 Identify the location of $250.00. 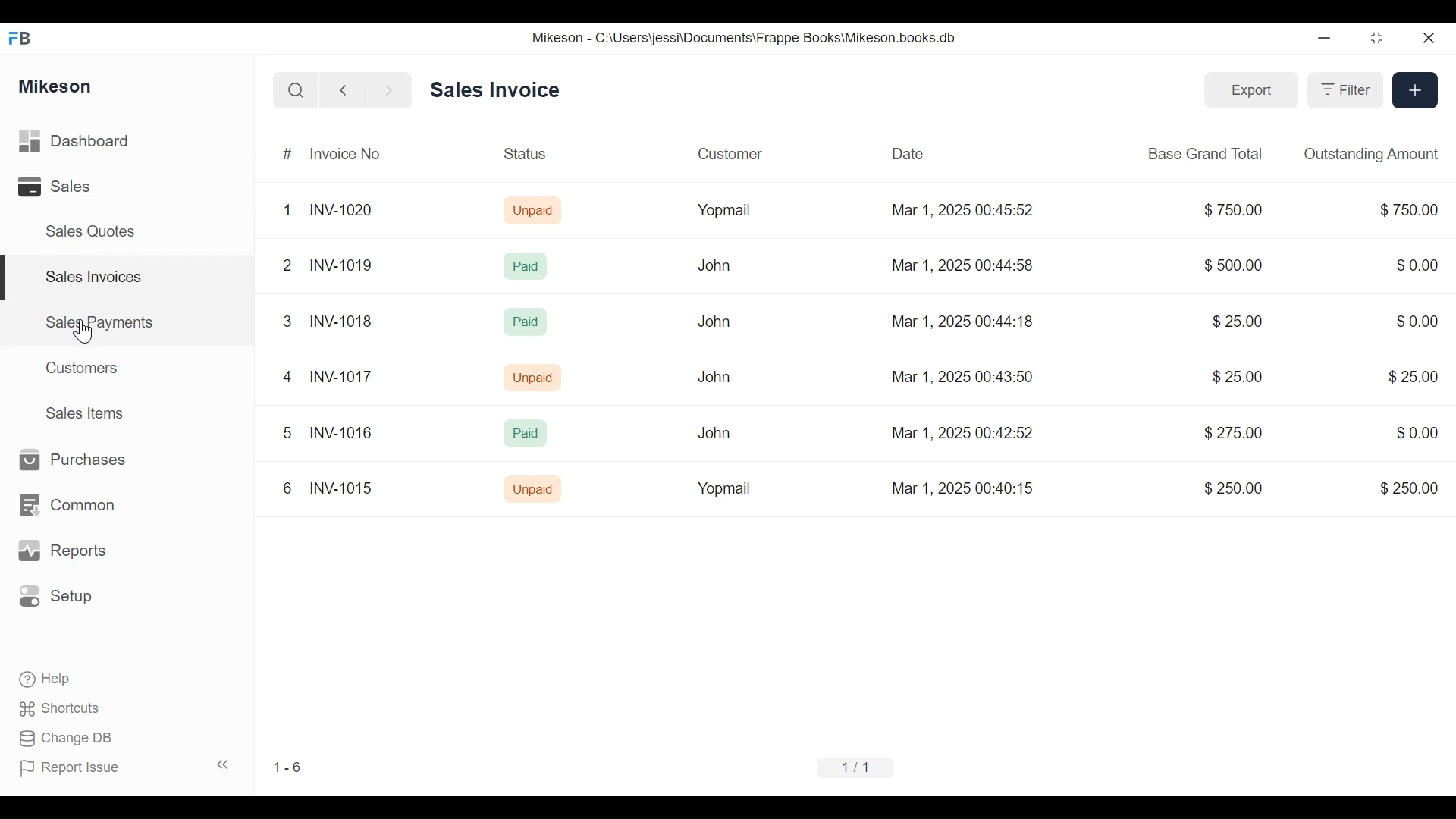
(1232, 491).